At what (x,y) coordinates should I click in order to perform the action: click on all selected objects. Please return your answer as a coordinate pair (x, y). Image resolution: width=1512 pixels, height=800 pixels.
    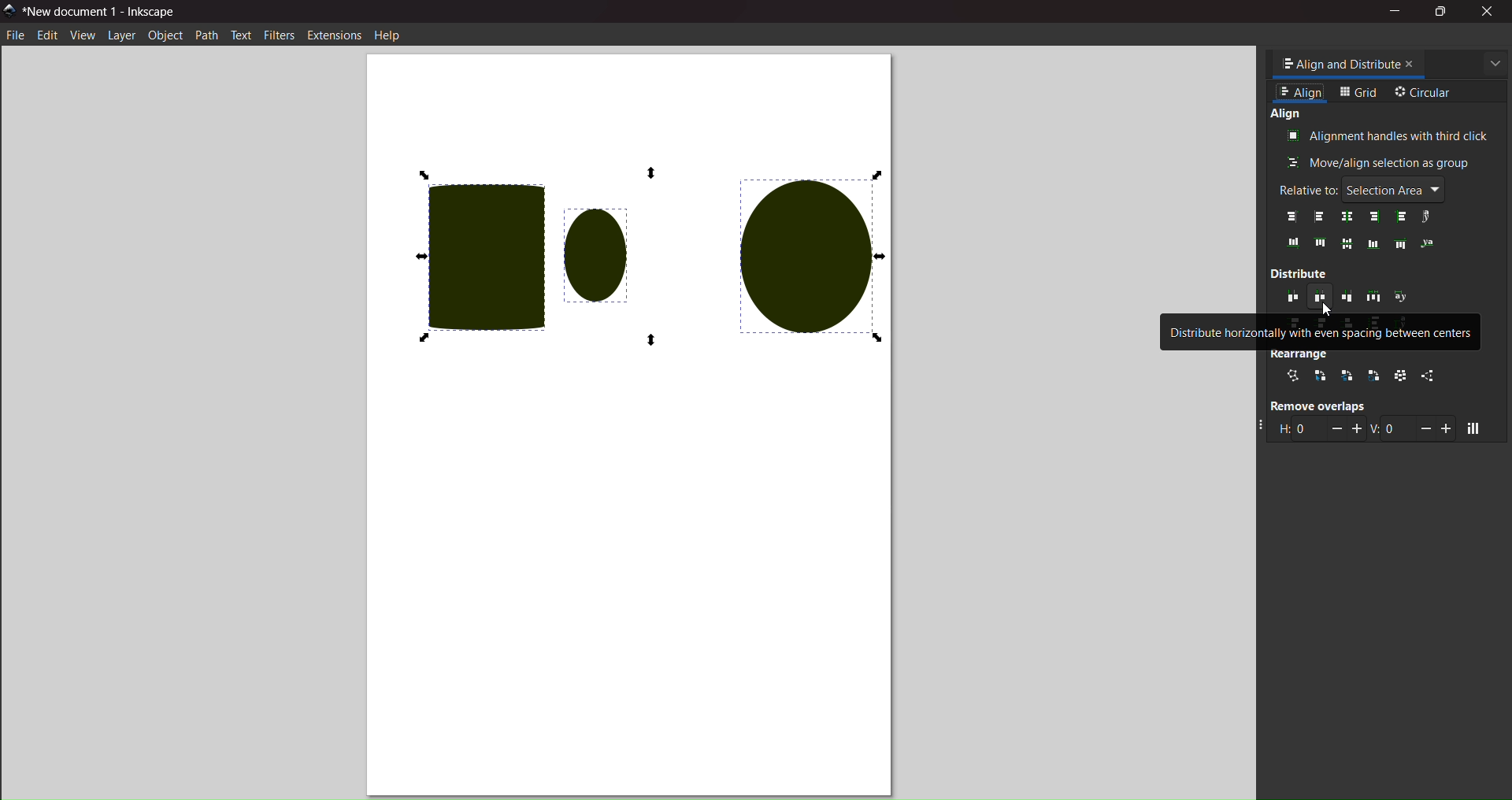
    Looking at the image, I should click on (643, 250).